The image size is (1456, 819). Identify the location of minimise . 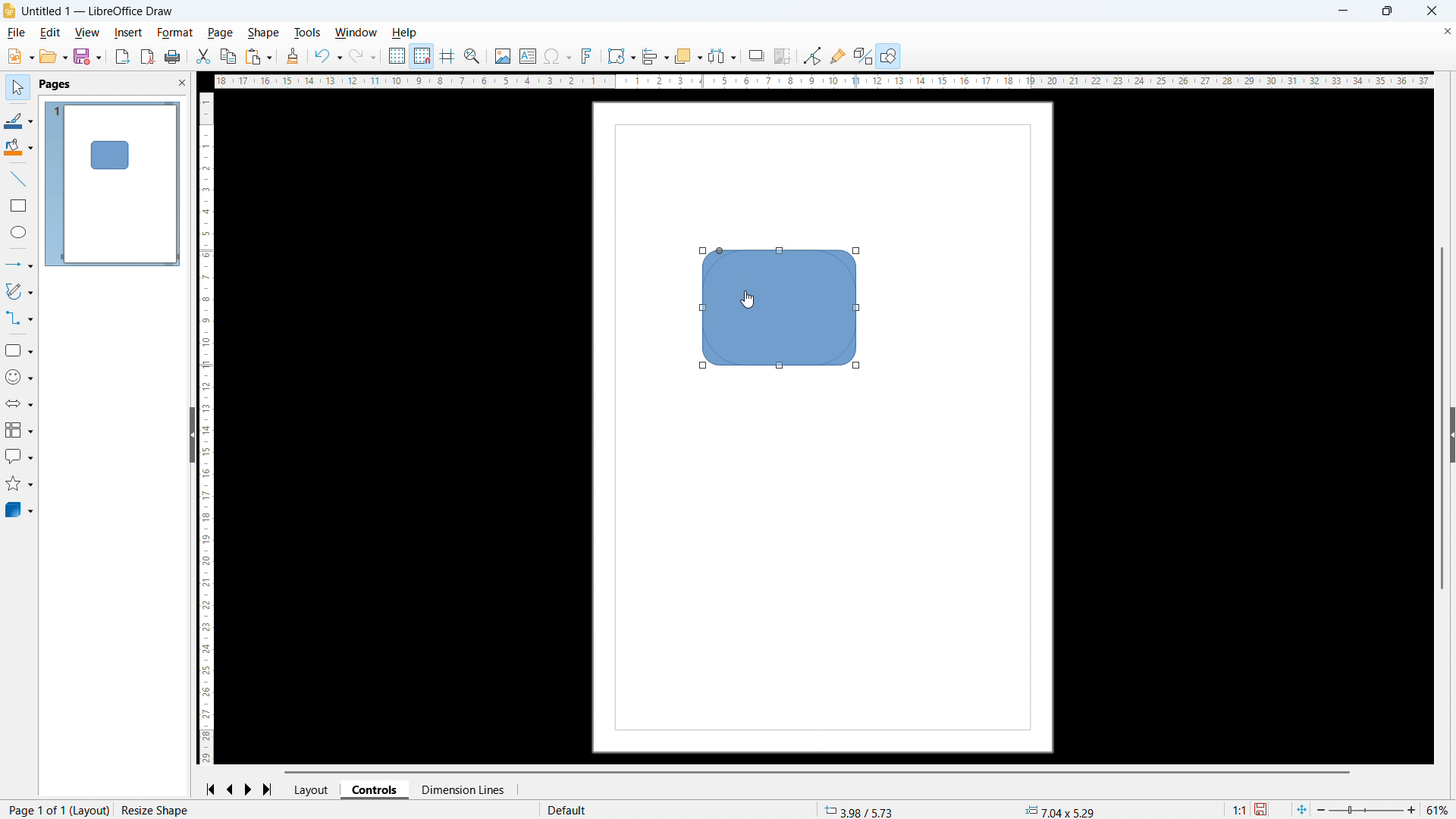
(1344, 11).